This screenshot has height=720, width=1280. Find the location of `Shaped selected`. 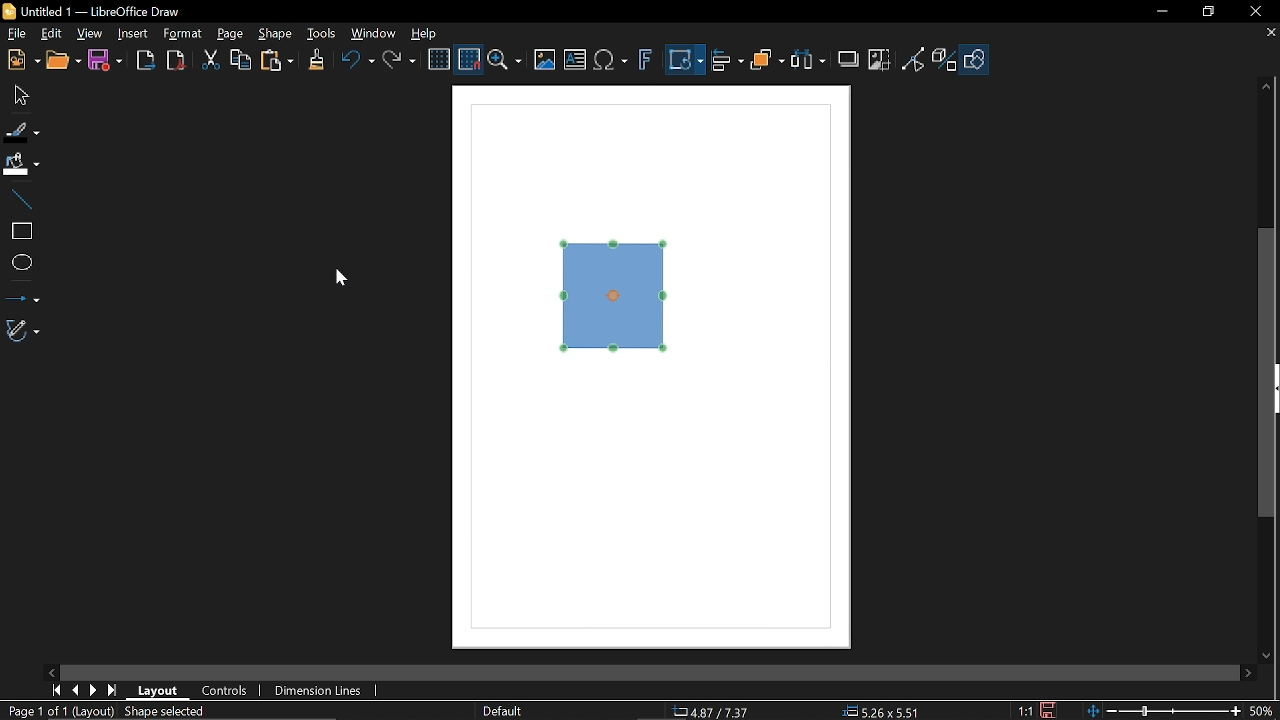

Shaped selected is located at coordinates (169, 711).